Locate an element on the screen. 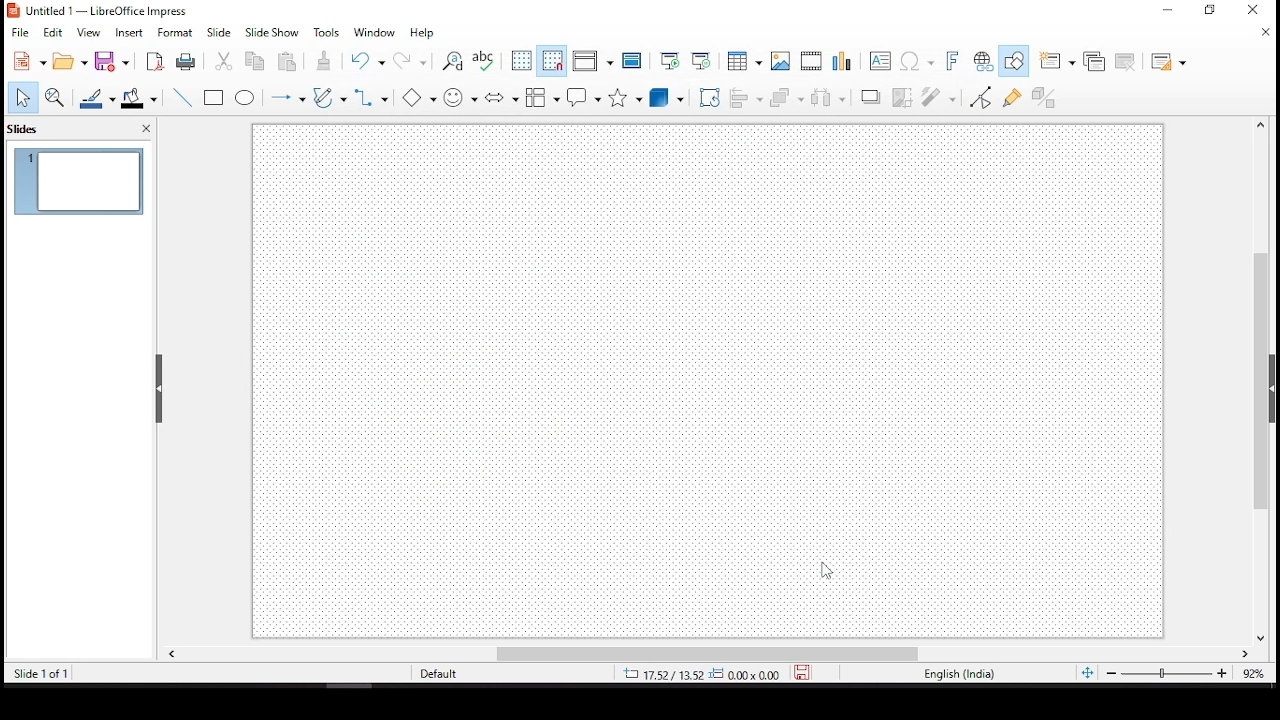 The image size is (1280, 720). master slide is located at coordinates (635, 60).